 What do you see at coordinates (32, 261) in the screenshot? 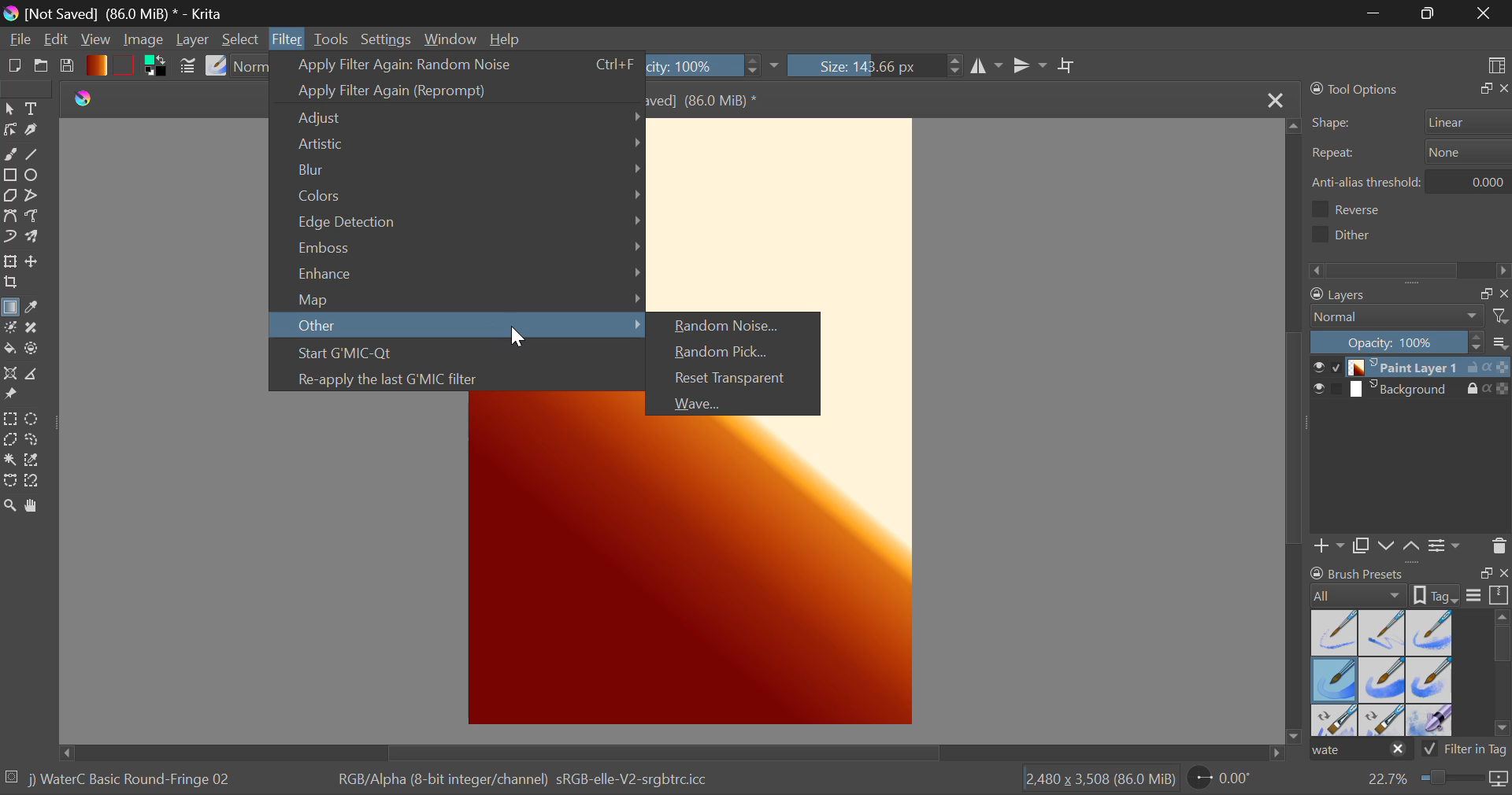
I see `Move Layers` at bounding box center [32, 261].